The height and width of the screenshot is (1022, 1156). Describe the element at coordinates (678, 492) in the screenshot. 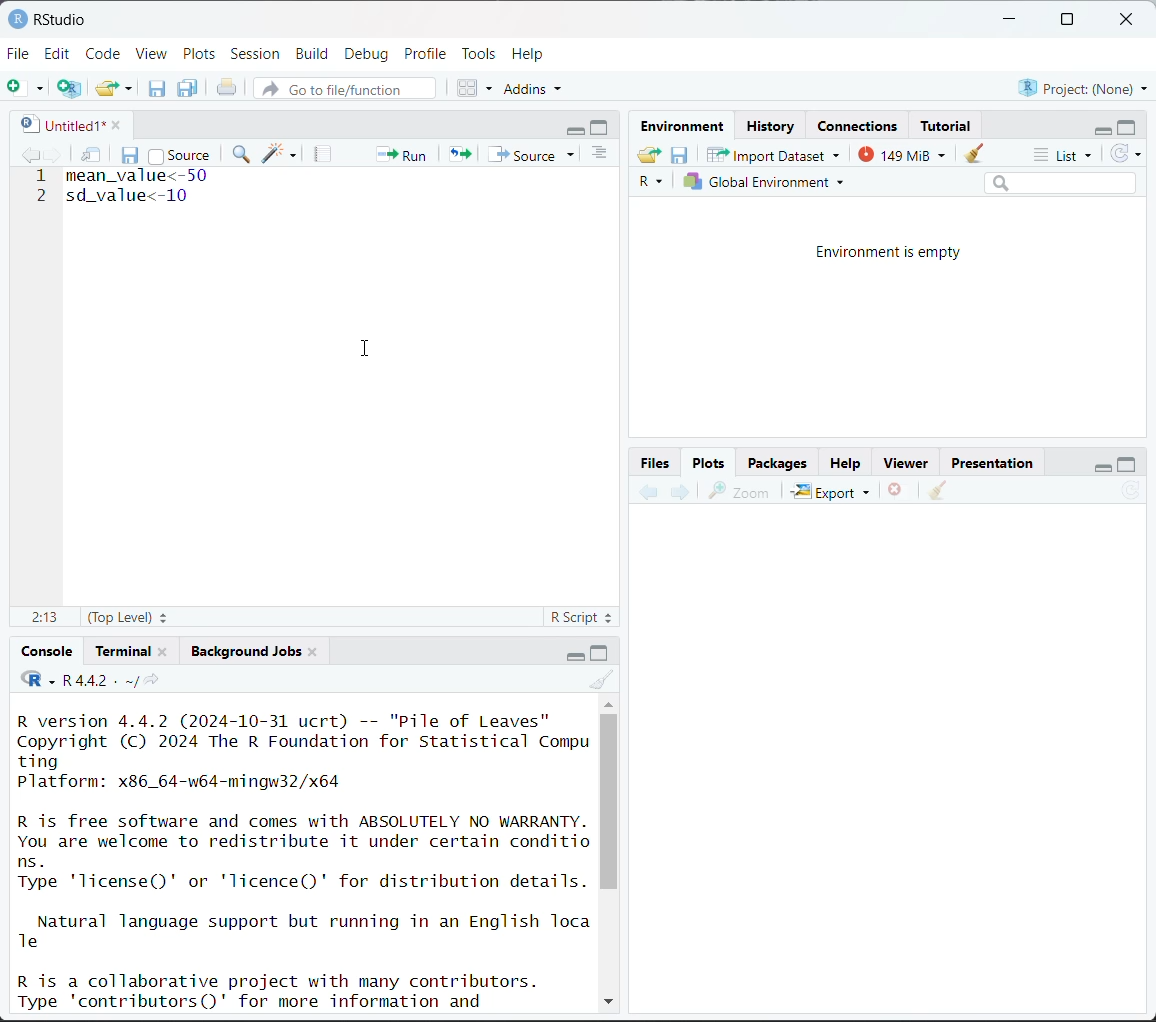

I see `next plot` at that location.